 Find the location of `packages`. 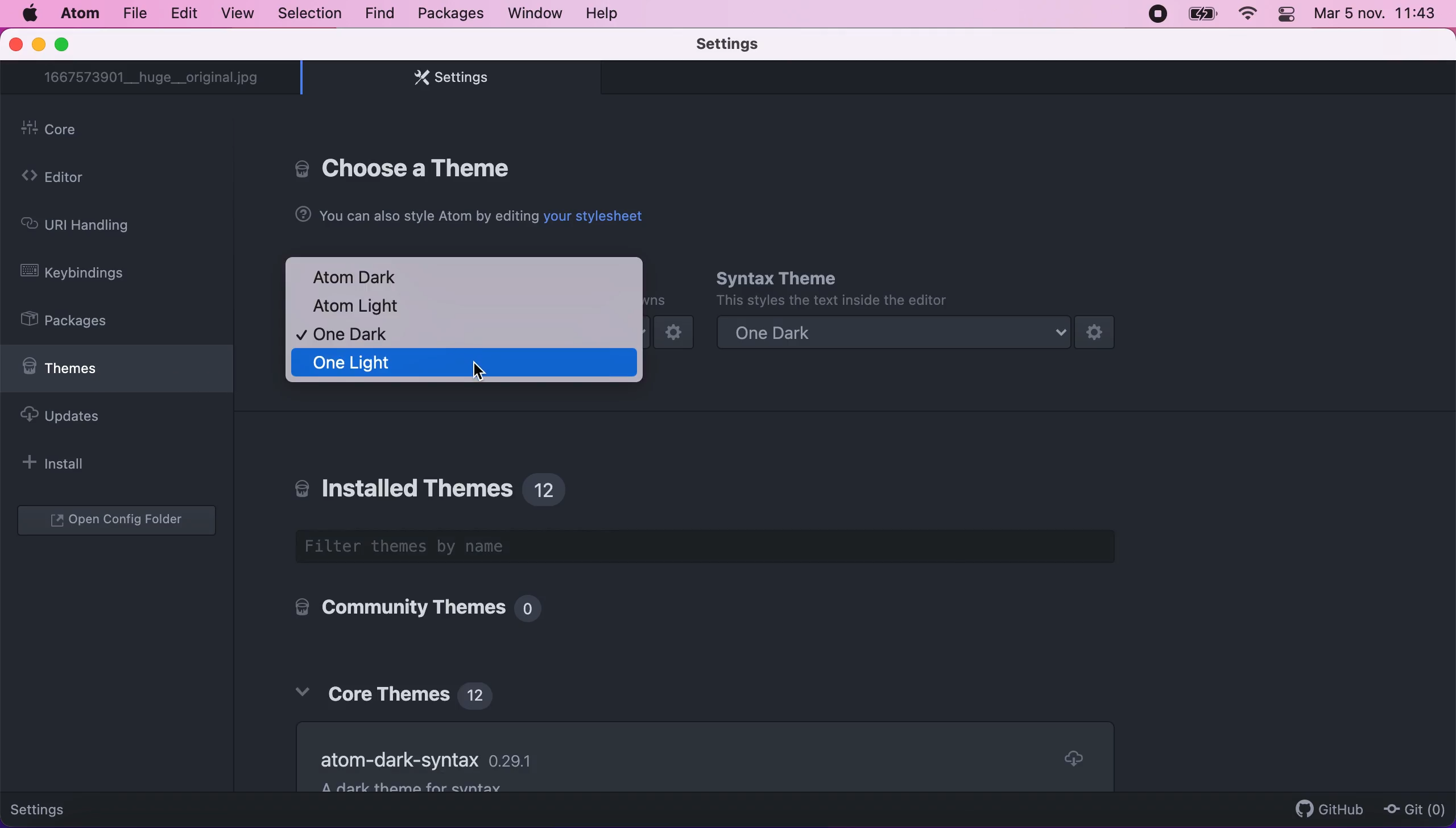

packages is located at coordinates (80, 322).